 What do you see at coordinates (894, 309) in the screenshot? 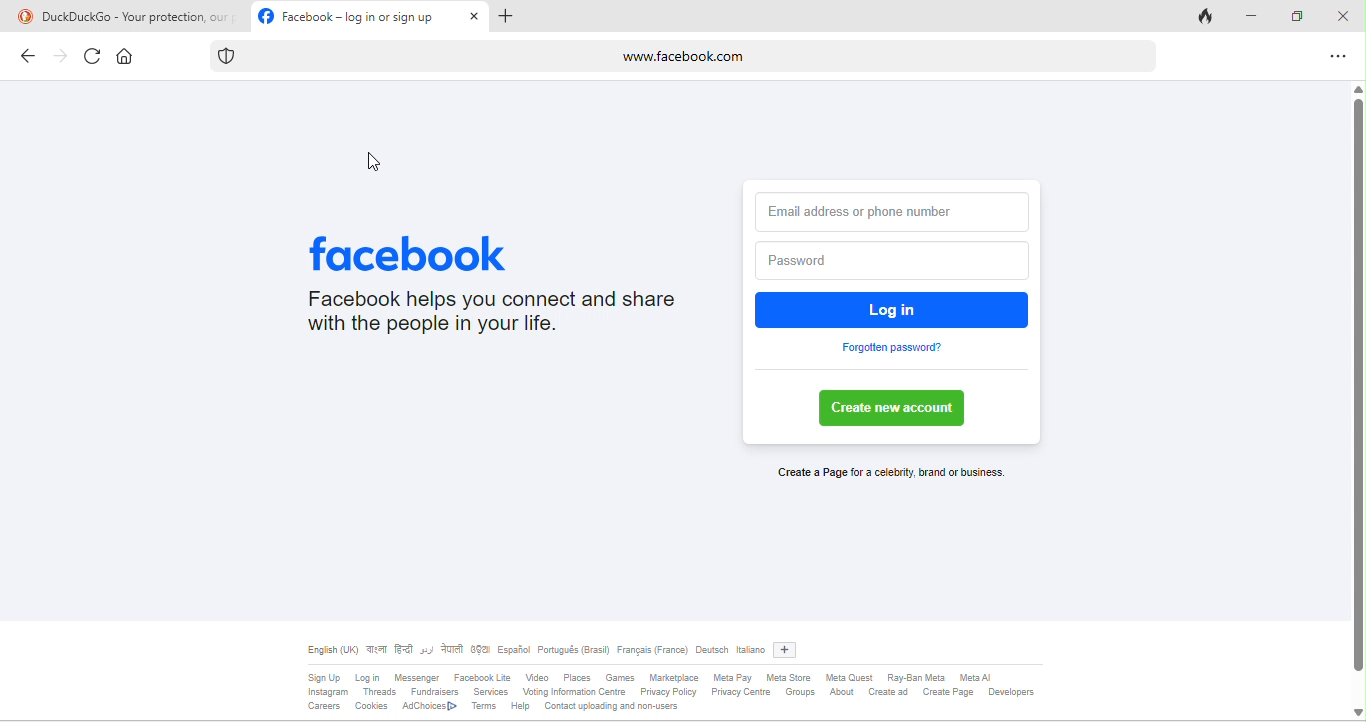
I see `log in` at bounding box center [894, 309].